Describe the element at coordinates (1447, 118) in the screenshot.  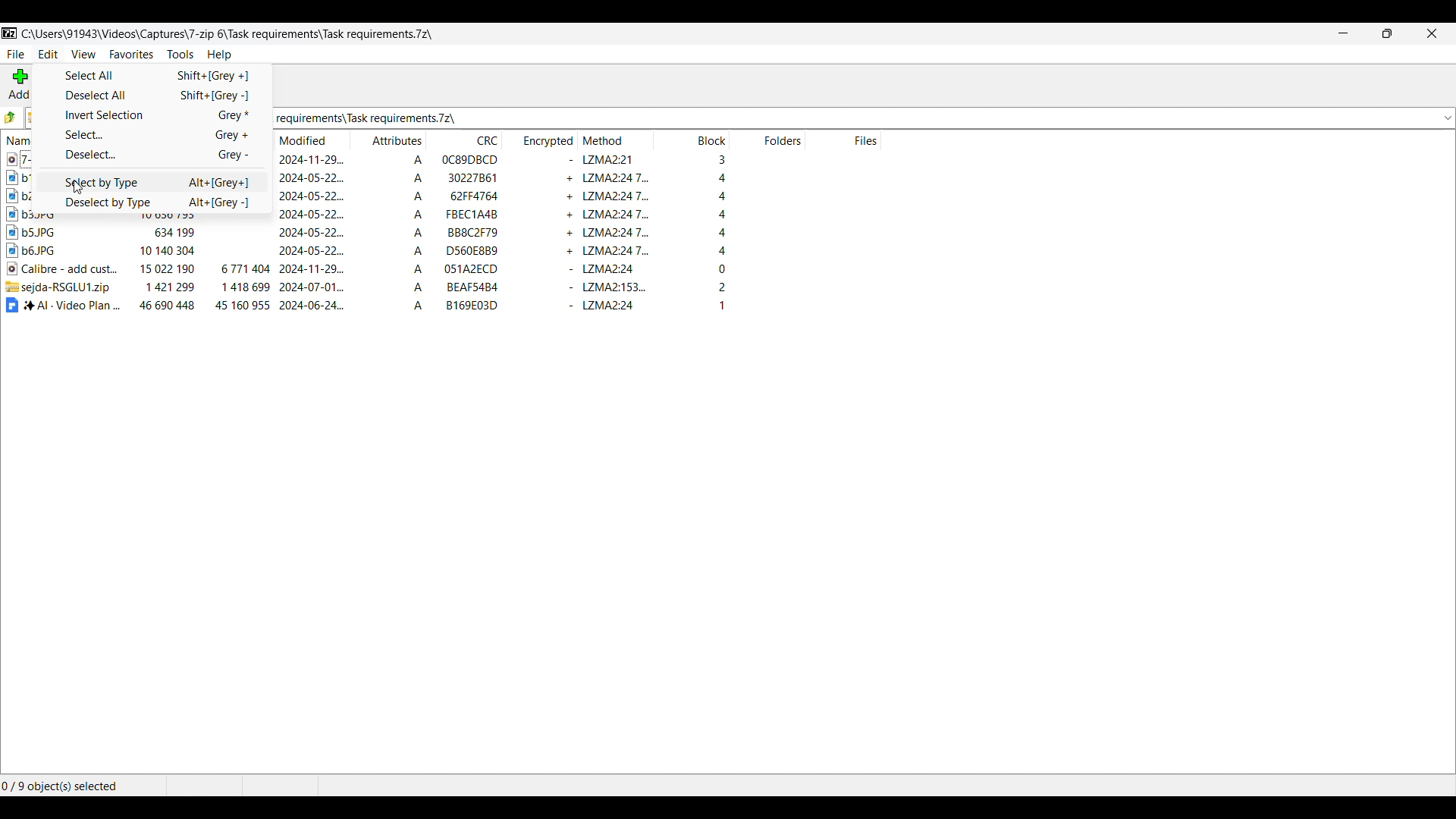
I see `dropdown` at that location.